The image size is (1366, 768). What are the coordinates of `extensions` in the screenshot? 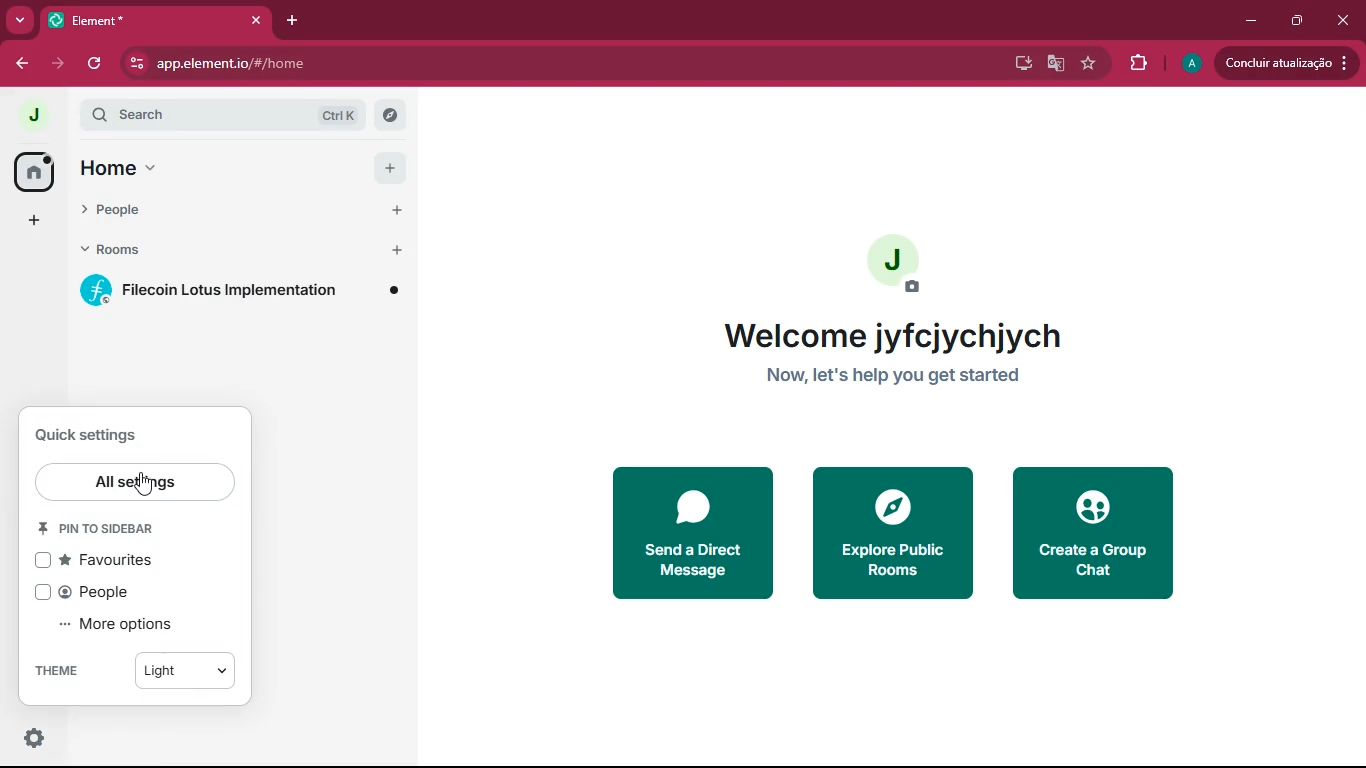 It's located at (1138, 64).